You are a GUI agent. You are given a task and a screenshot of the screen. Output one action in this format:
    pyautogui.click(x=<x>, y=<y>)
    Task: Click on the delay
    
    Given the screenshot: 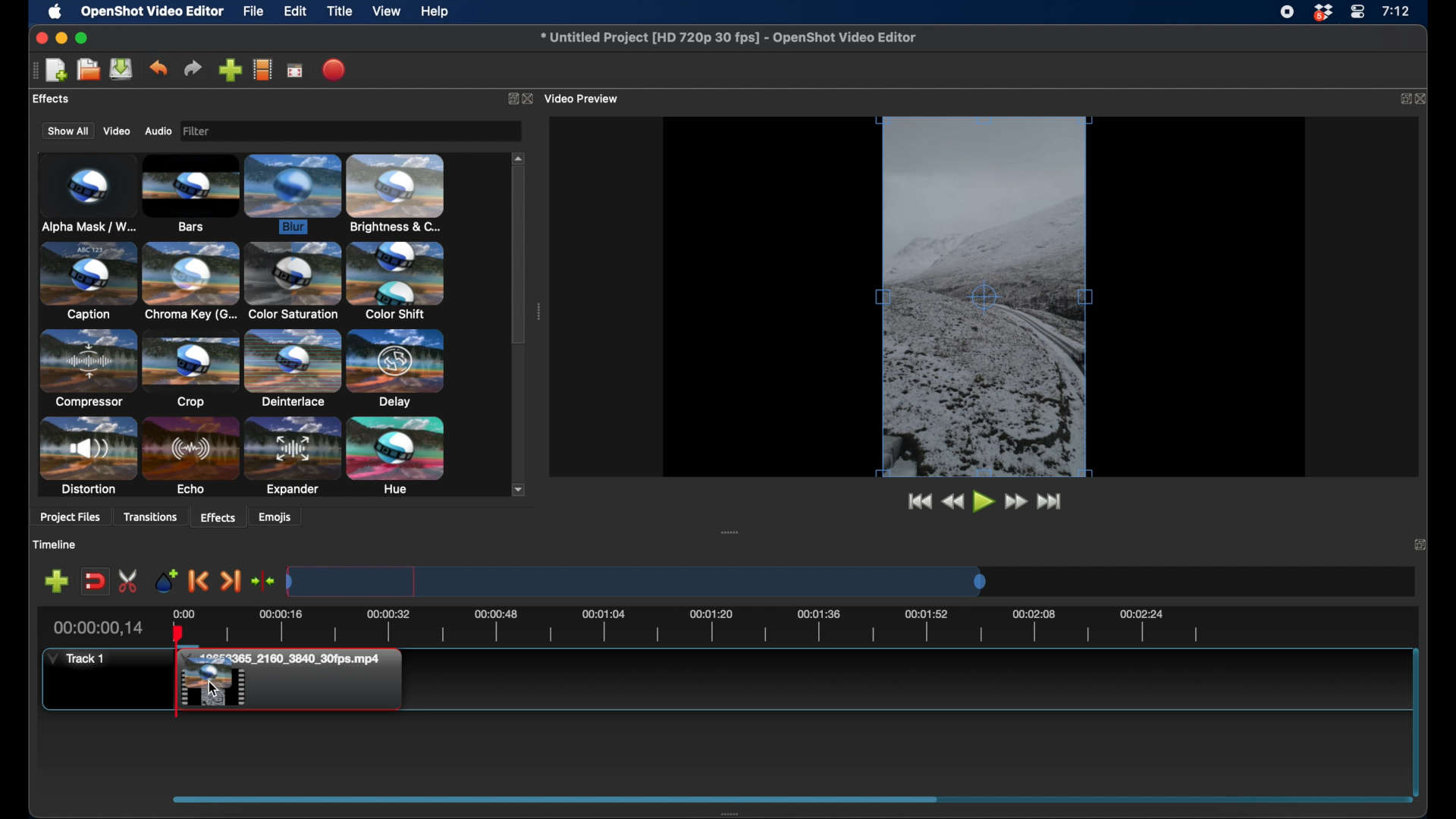 What is the action you would take?
    pyautogui.click(x=396, y=368)
    